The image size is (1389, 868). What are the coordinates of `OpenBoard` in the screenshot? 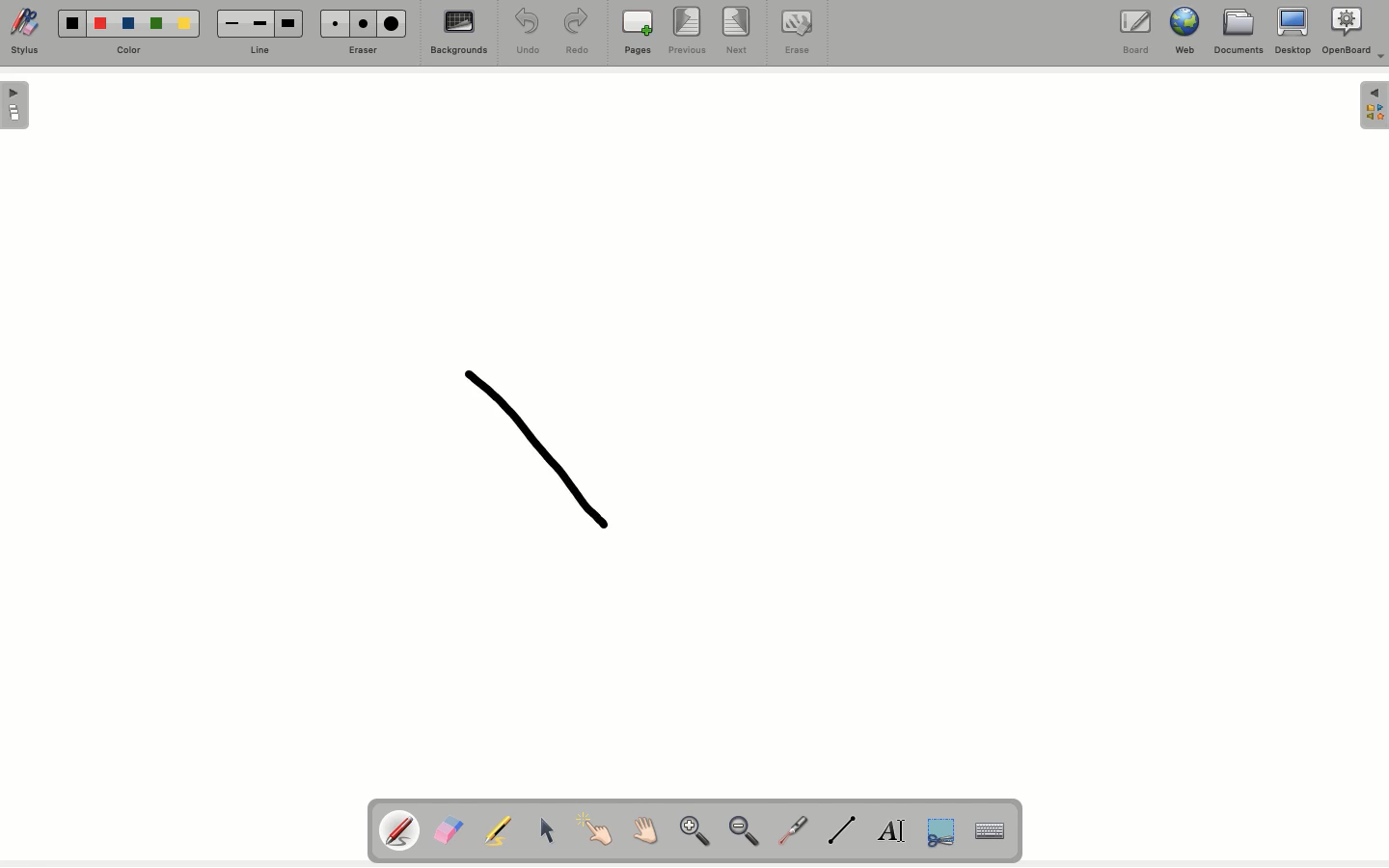 It's located at (1355, 33).